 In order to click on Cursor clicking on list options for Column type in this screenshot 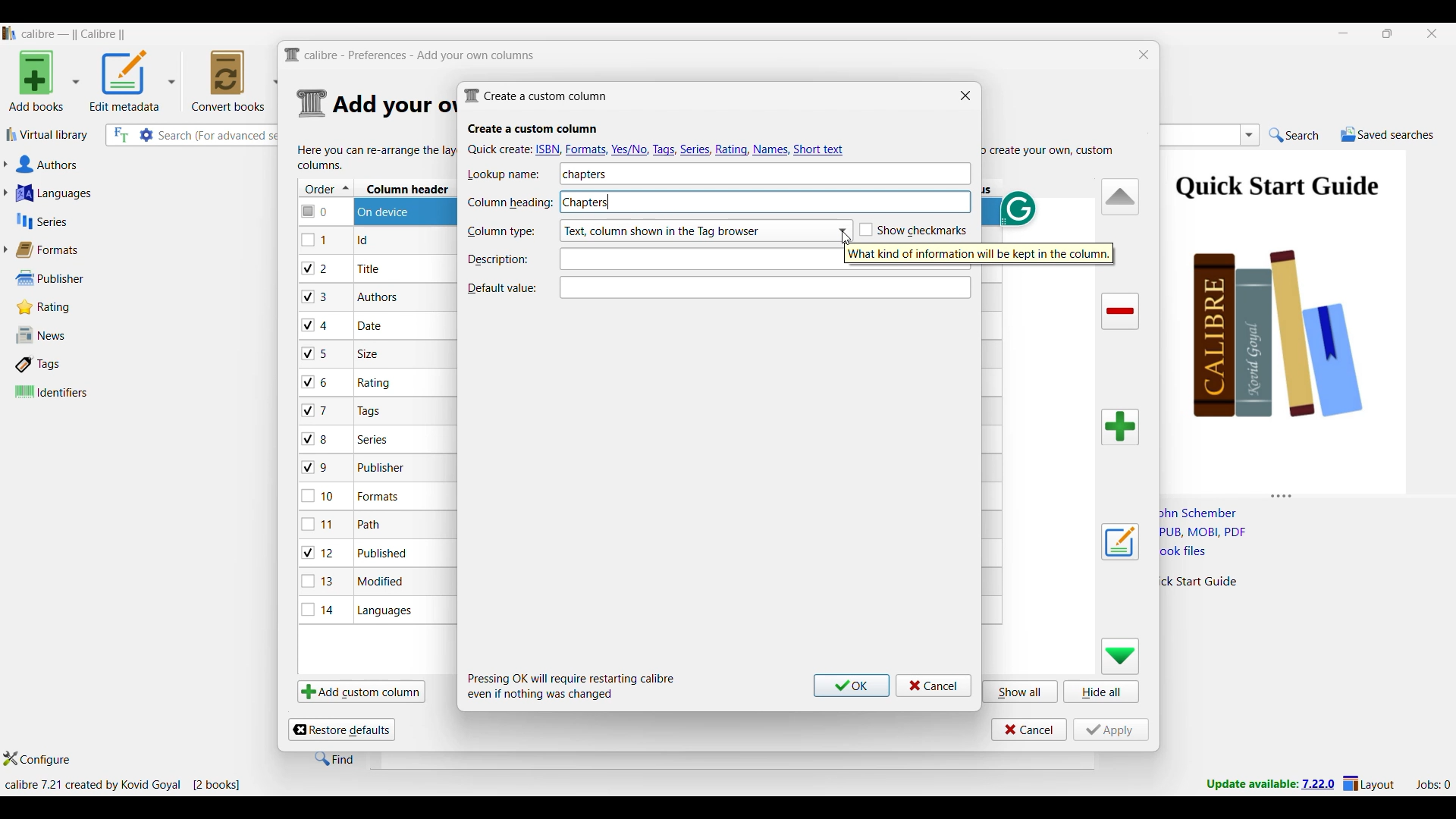, I will do `click(846, 237)`.